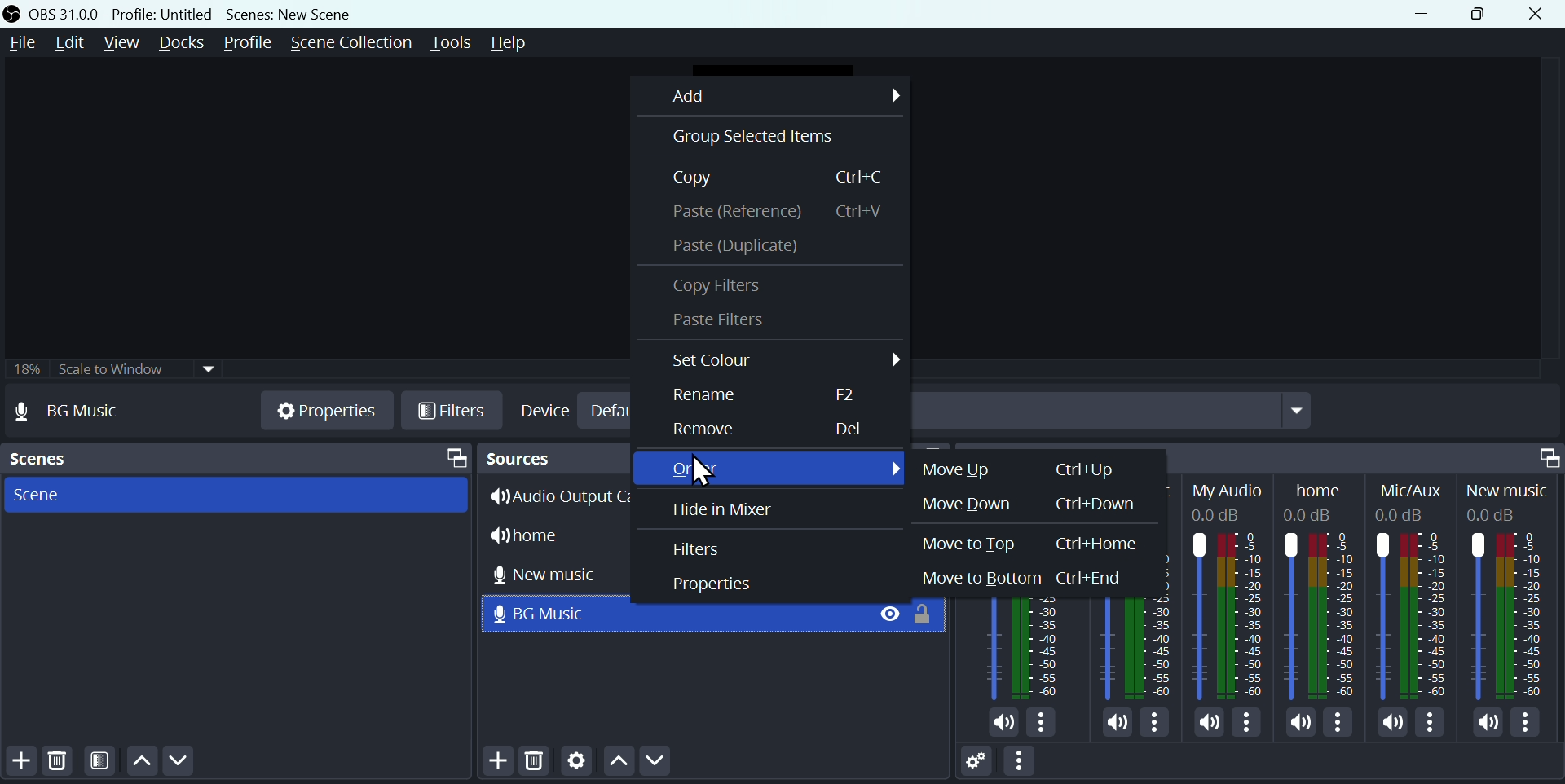  Describe the element at coordinates (1027, 578) in the screenshot. I see `Move to bottom` at that location.